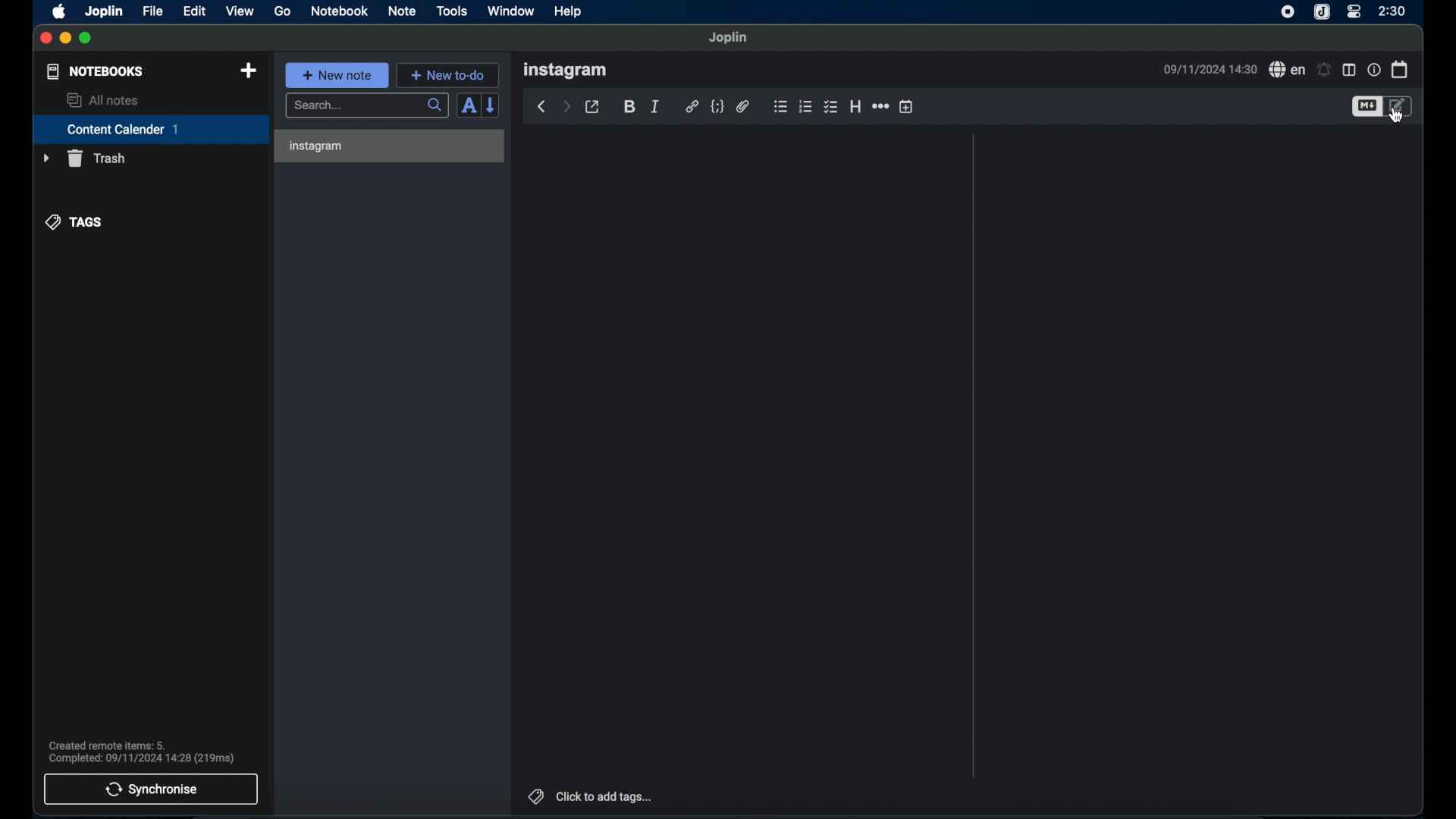 The width and height of the screenshot is (1456, 819). Describe the element at coordinates (64, 39) in the screenshot. I see `minimize` at that location.